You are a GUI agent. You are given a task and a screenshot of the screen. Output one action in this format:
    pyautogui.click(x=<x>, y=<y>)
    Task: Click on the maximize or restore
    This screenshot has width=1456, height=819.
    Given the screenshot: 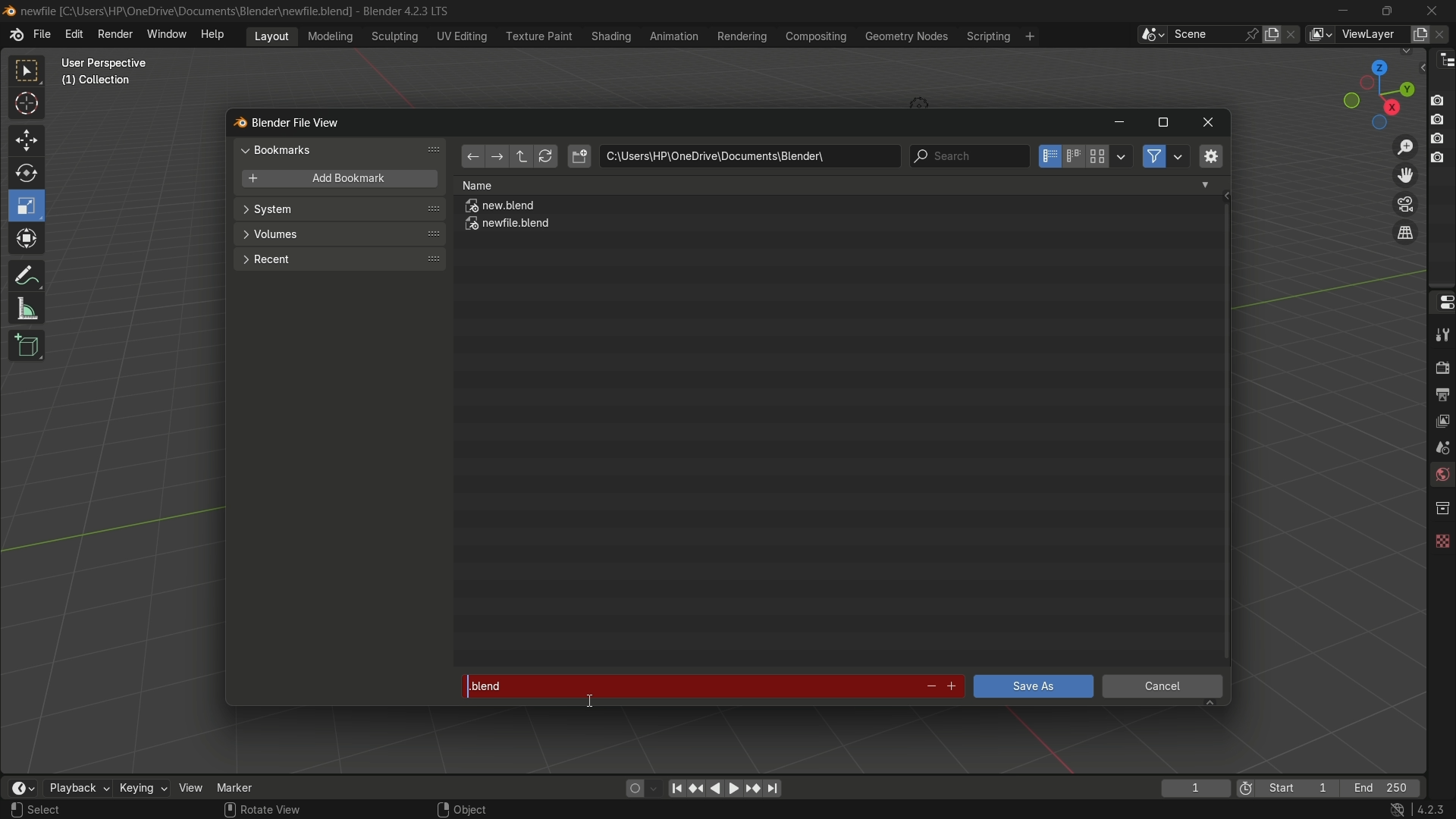 What is the action you would take?
    pyautogui.click(x=1163, y=123)
    